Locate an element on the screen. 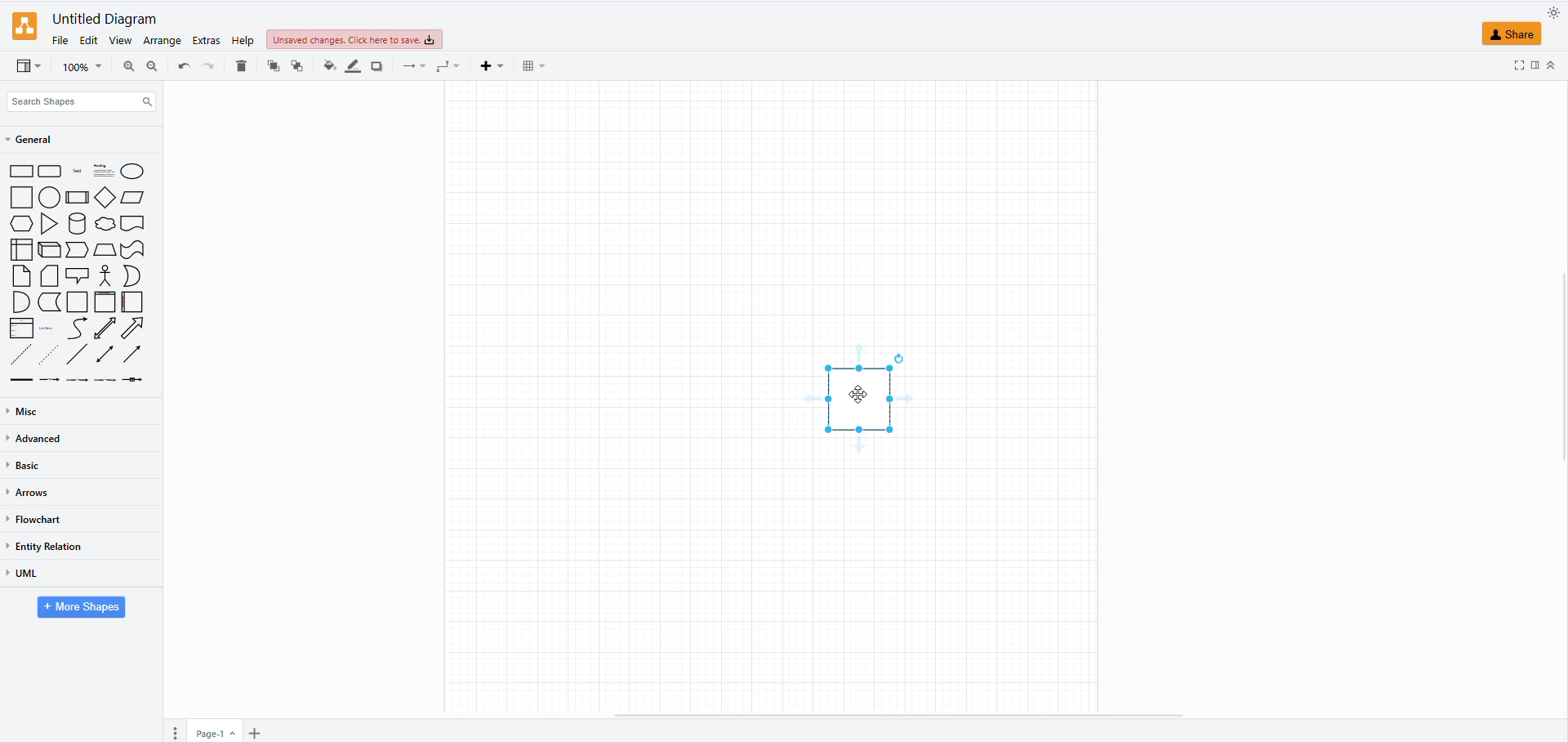 Image resolution: width=1568 pixels, height=742 pixels. square is located at coordinates (864, 397).